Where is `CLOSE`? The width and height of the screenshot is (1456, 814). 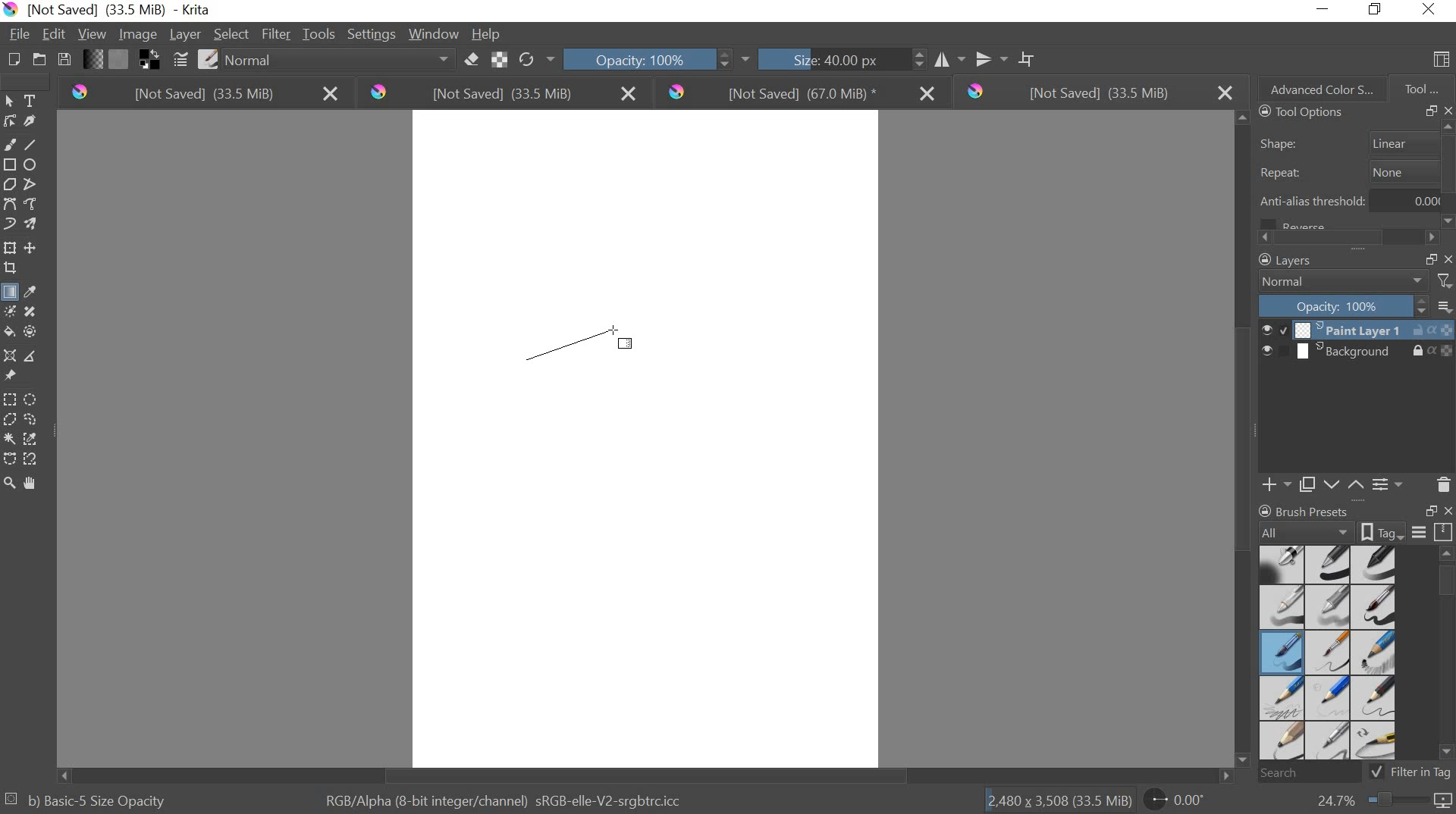
CLOSE is located at coordinates (1447, 258).